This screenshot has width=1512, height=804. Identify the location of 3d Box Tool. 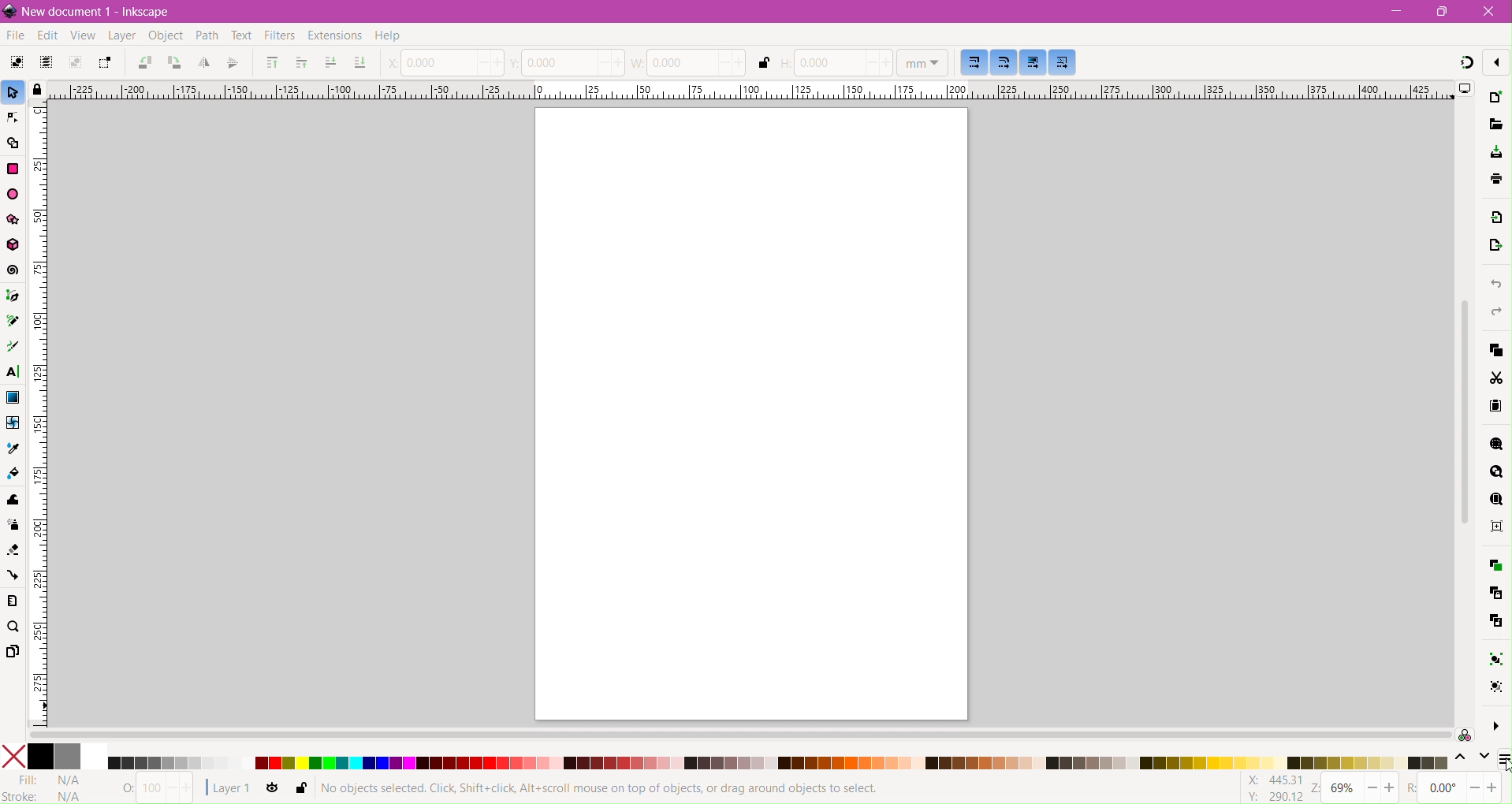
(13, 244).